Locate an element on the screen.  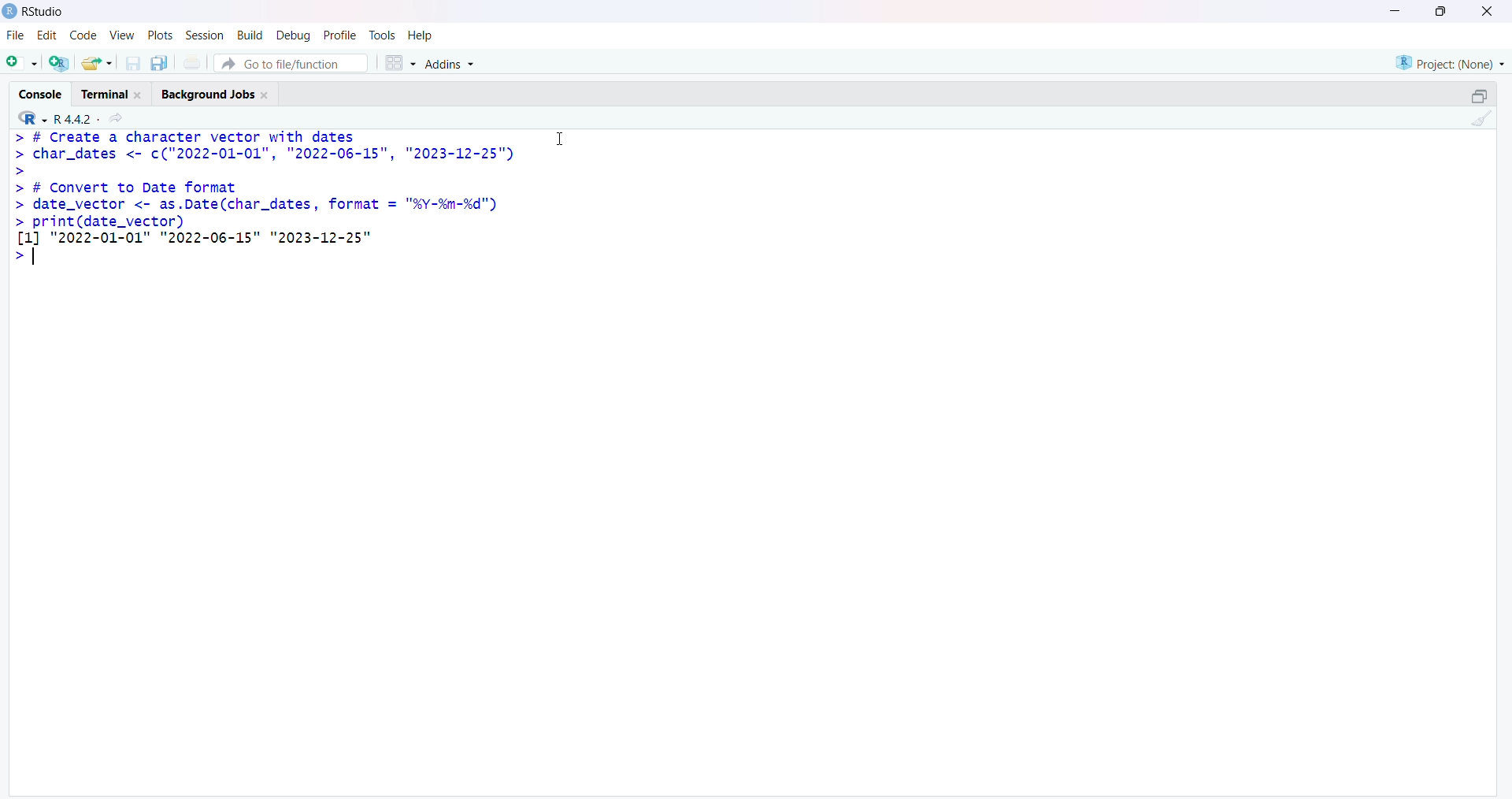
Clear console (Ctrl +L) is located at coordinates (1478, 122).